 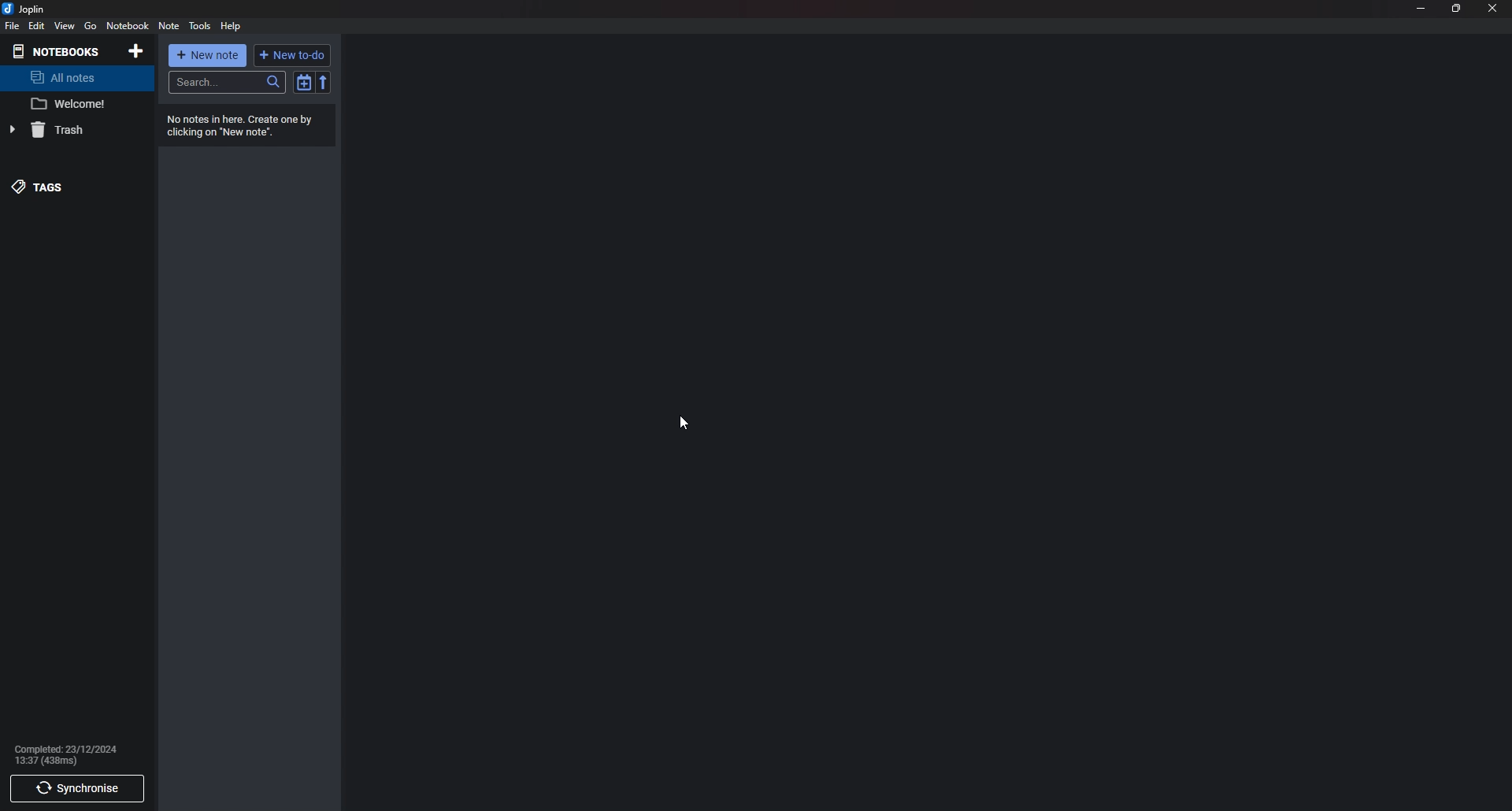 What do you see at coordinates (72, 131) in the screenshot?
I see `Trash` at bounding box center [72, 131].